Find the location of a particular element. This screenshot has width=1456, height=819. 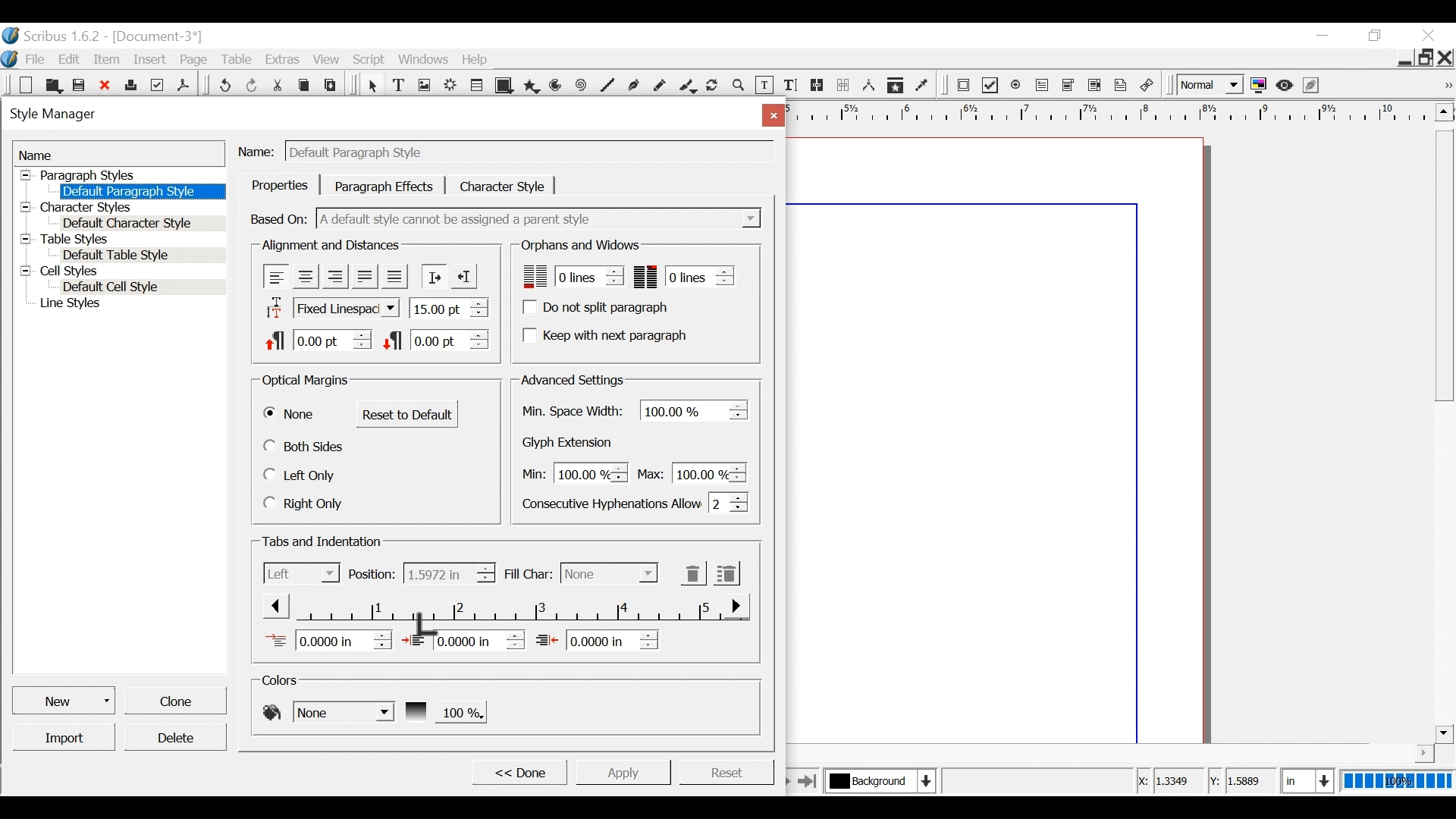

Logo is located at coordinates (10, 58).